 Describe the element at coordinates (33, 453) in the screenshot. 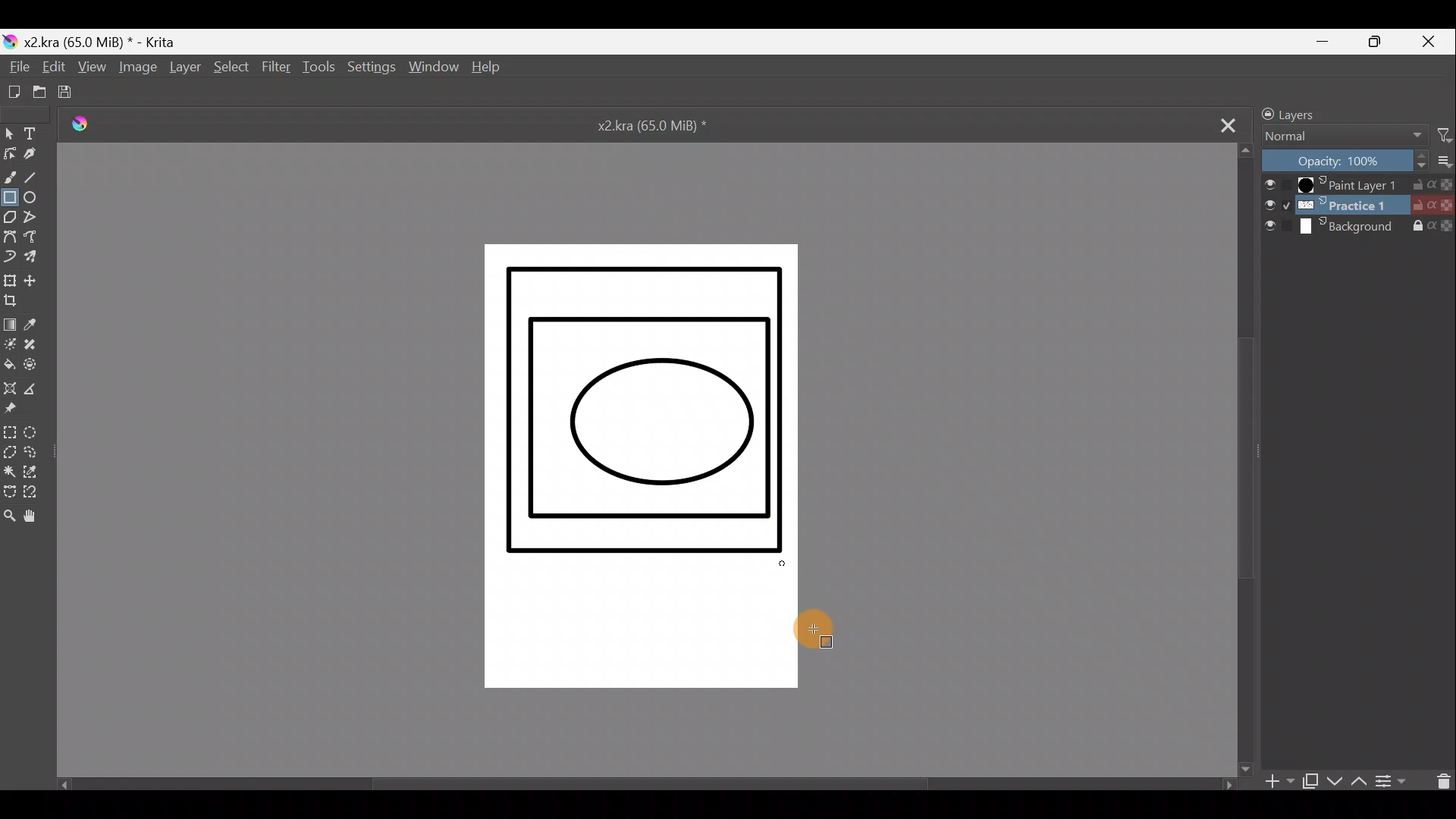

I see `Freehand selection tool` at that location.